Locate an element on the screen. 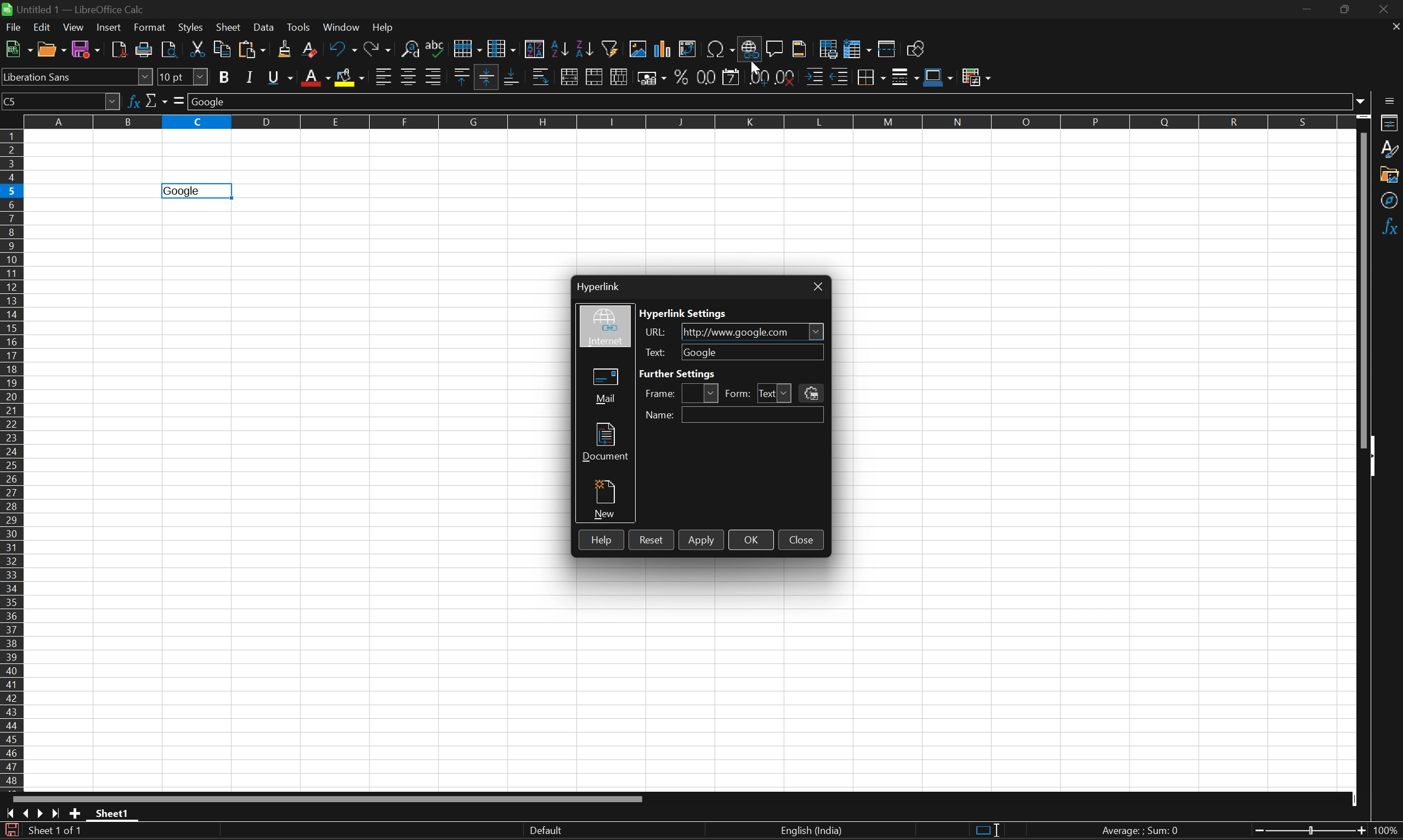 Image resolution: width=1403 pixels, height=840 pixels. The document has been modified. Click to save the document. is located at coordinates (11, 831).